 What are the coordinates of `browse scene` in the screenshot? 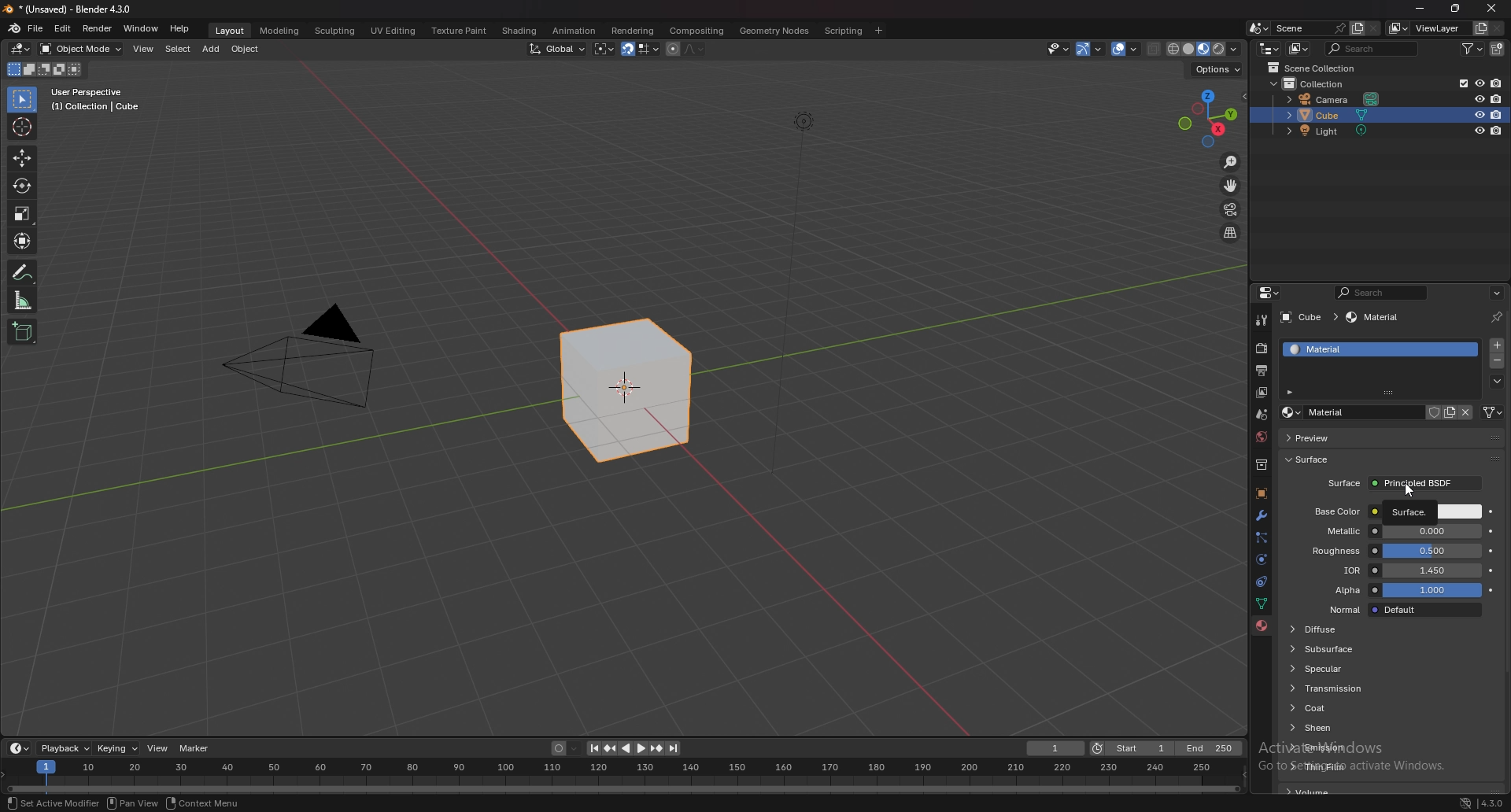 It's located at (1259, 28).